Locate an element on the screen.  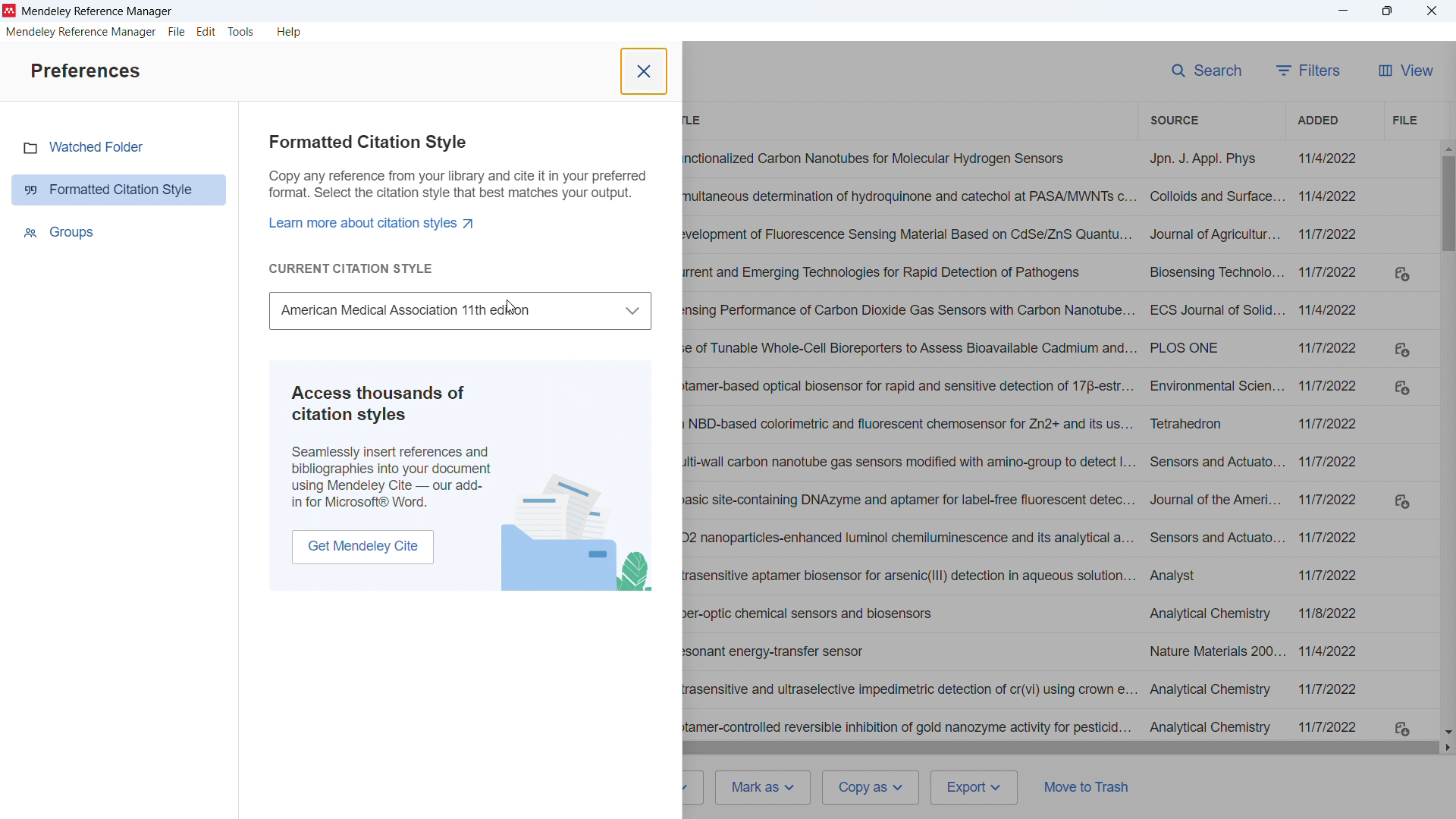
Preferences  is located at coordinates (85, 72).